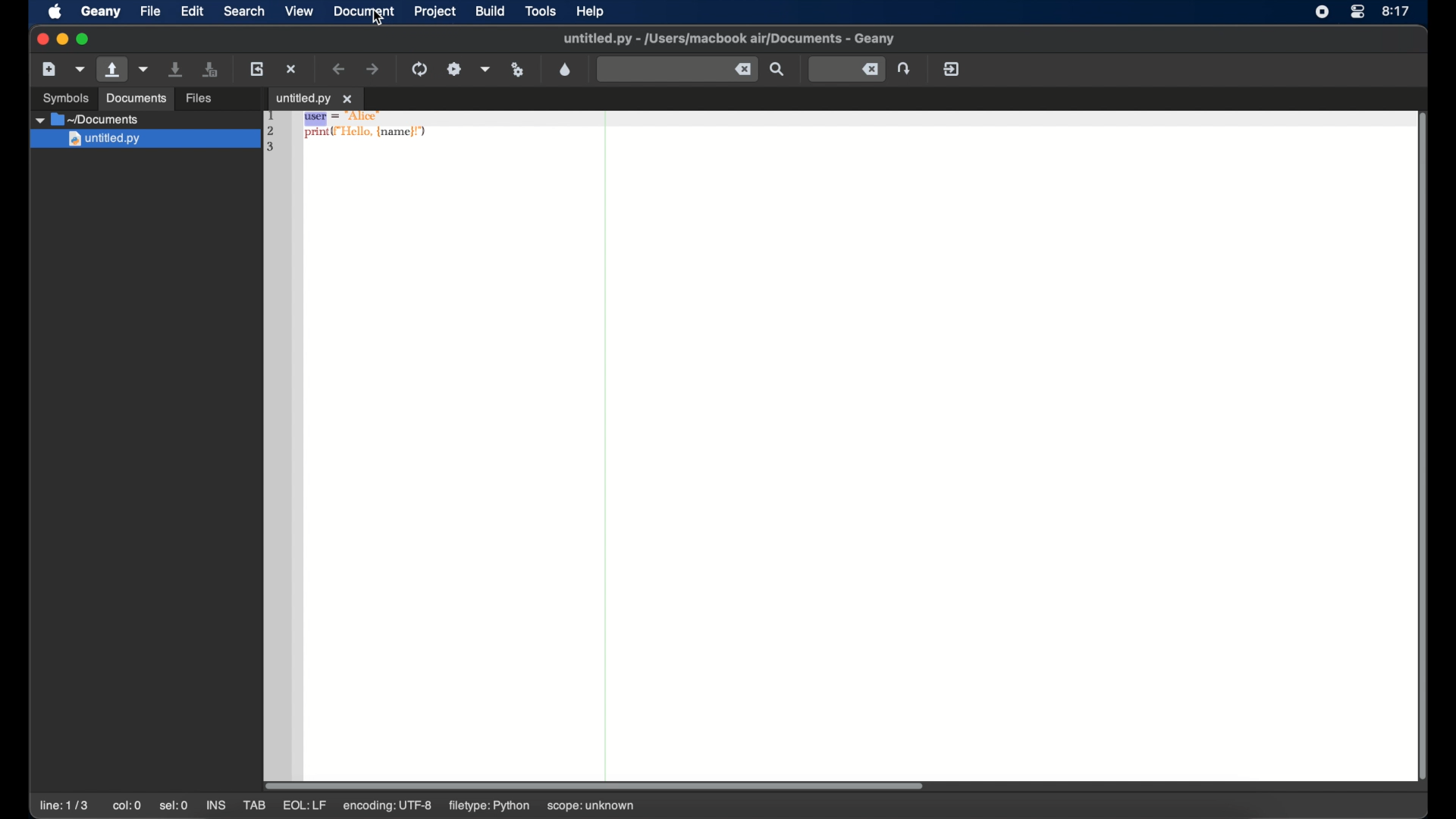 Image resolution: width=1456 pixels, height=819 pixels. Describe the element at coordinates (454, 69) in the screenshot. I see `build the current file` at that location.